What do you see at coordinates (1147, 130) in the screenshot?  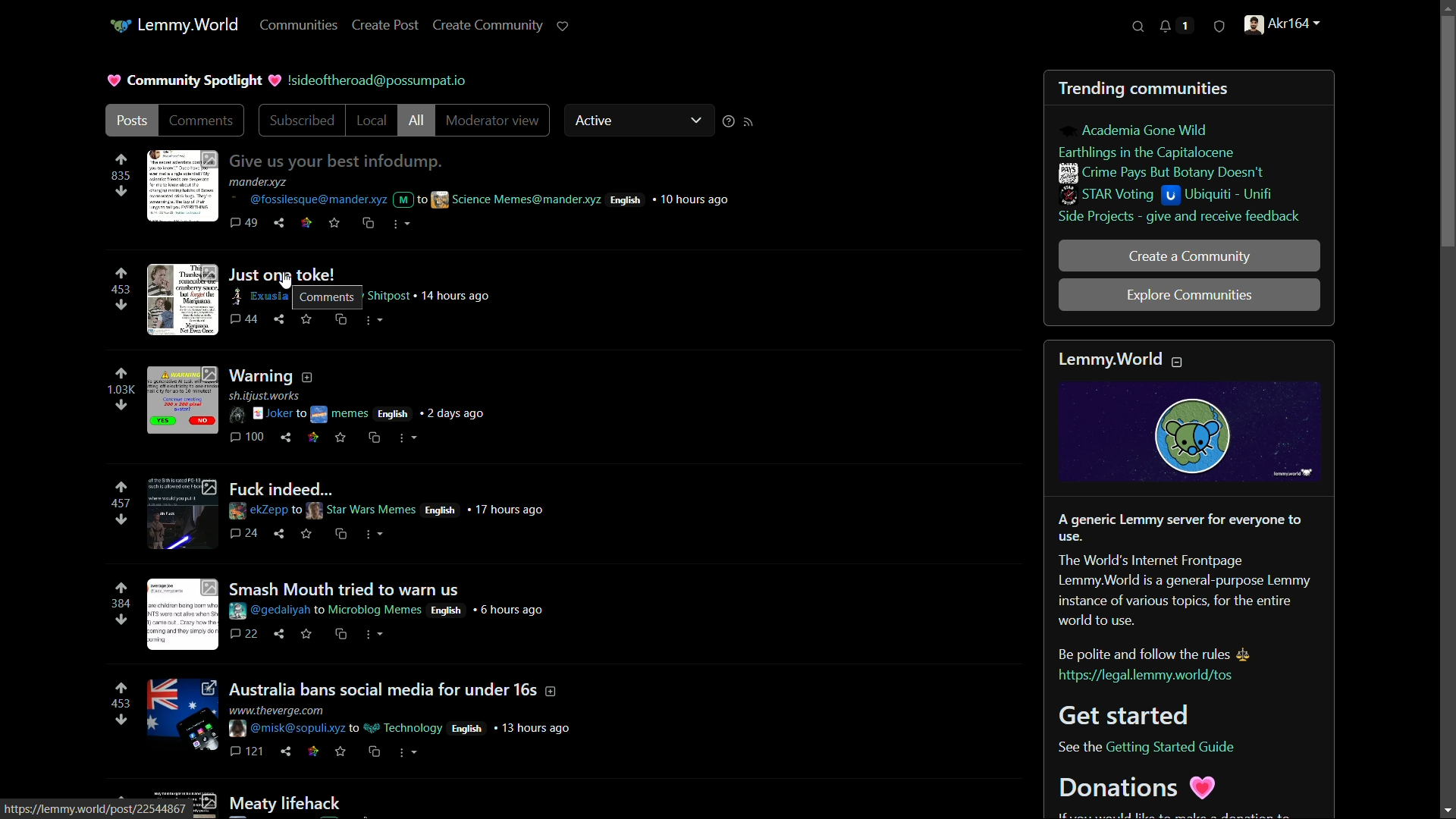 I see `Academia Gone Wild` at bounding box center [1147, 130].